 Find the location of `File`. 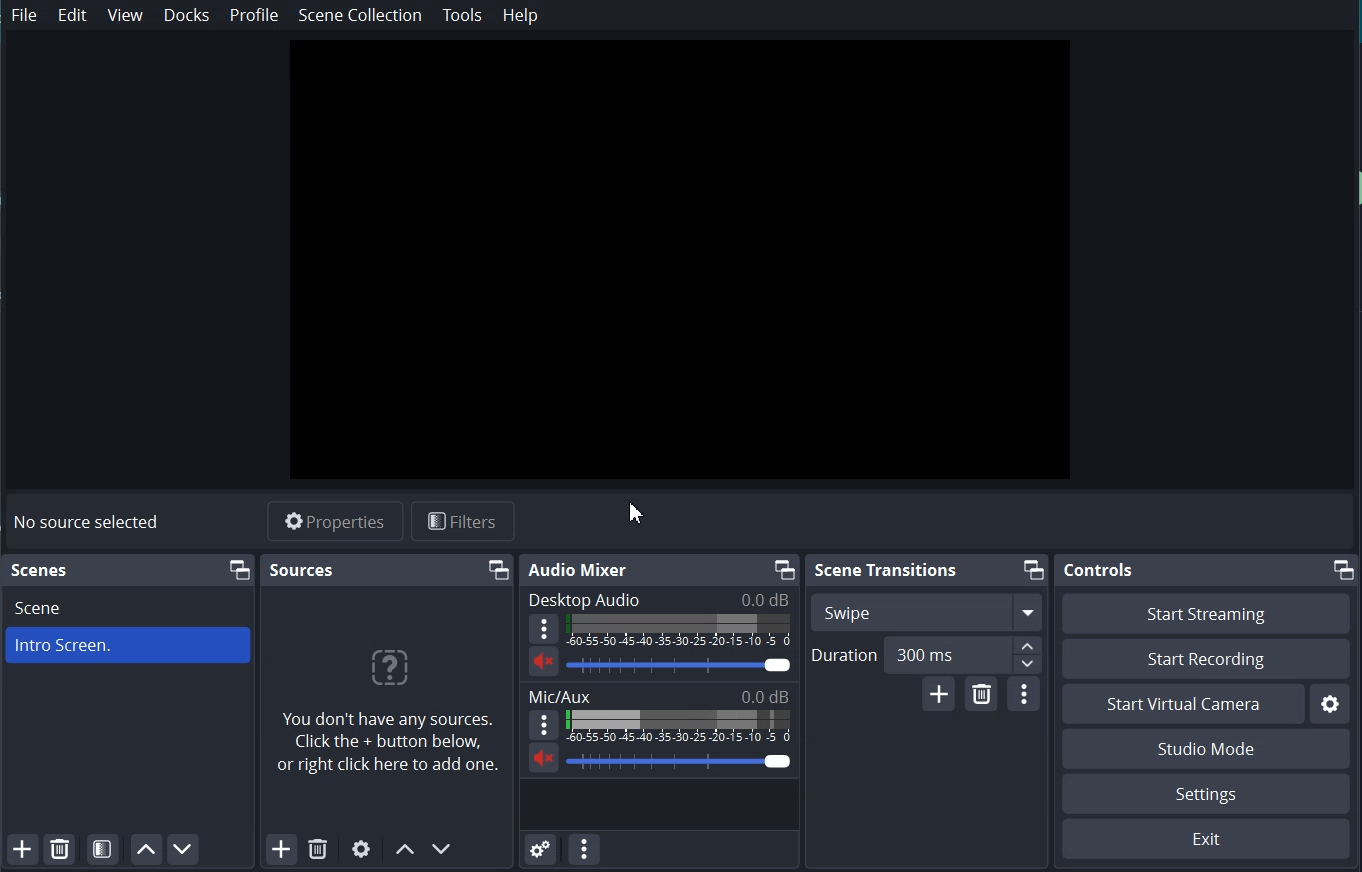

File is located at coordinates (26, 16).